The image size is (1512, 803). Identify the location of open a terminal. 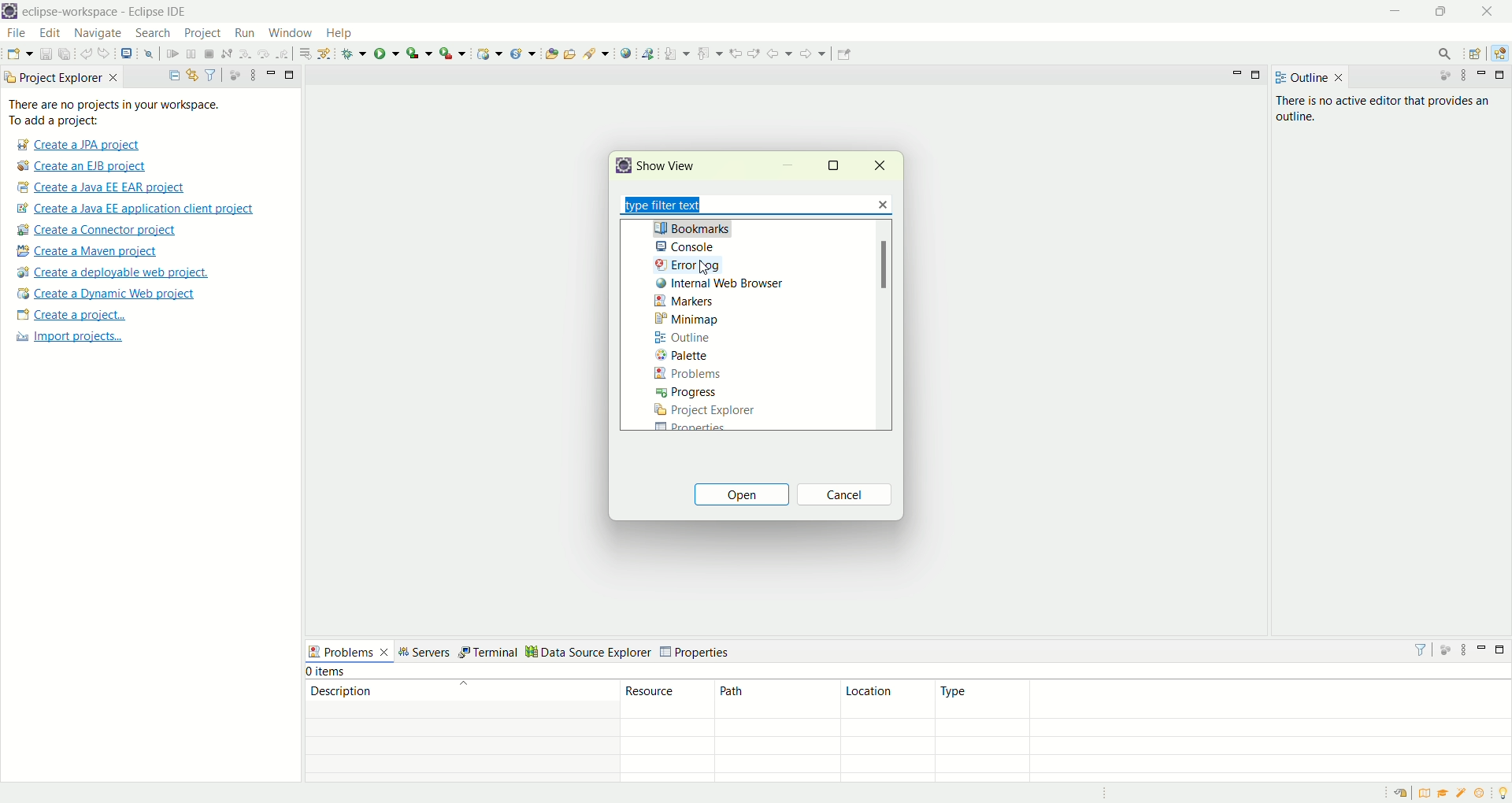
(126, 54).